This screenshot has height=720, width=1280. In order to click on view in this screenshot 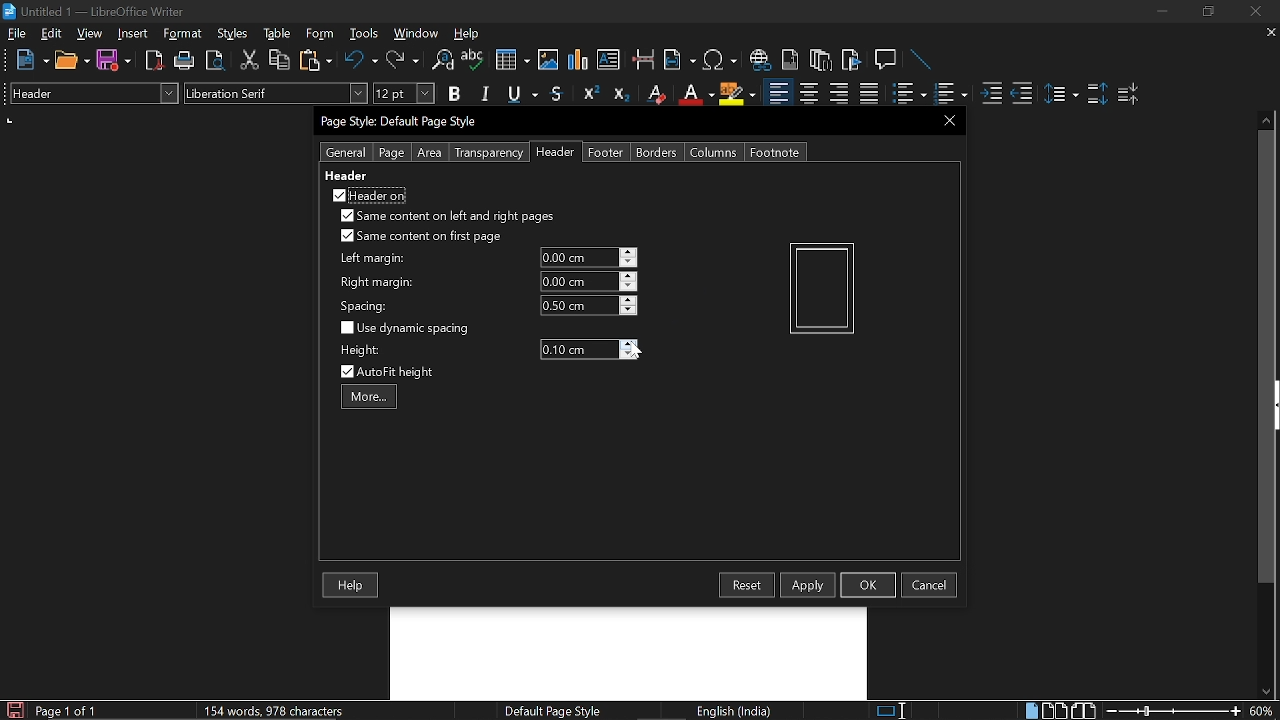, I will do `click(90, 33)`.